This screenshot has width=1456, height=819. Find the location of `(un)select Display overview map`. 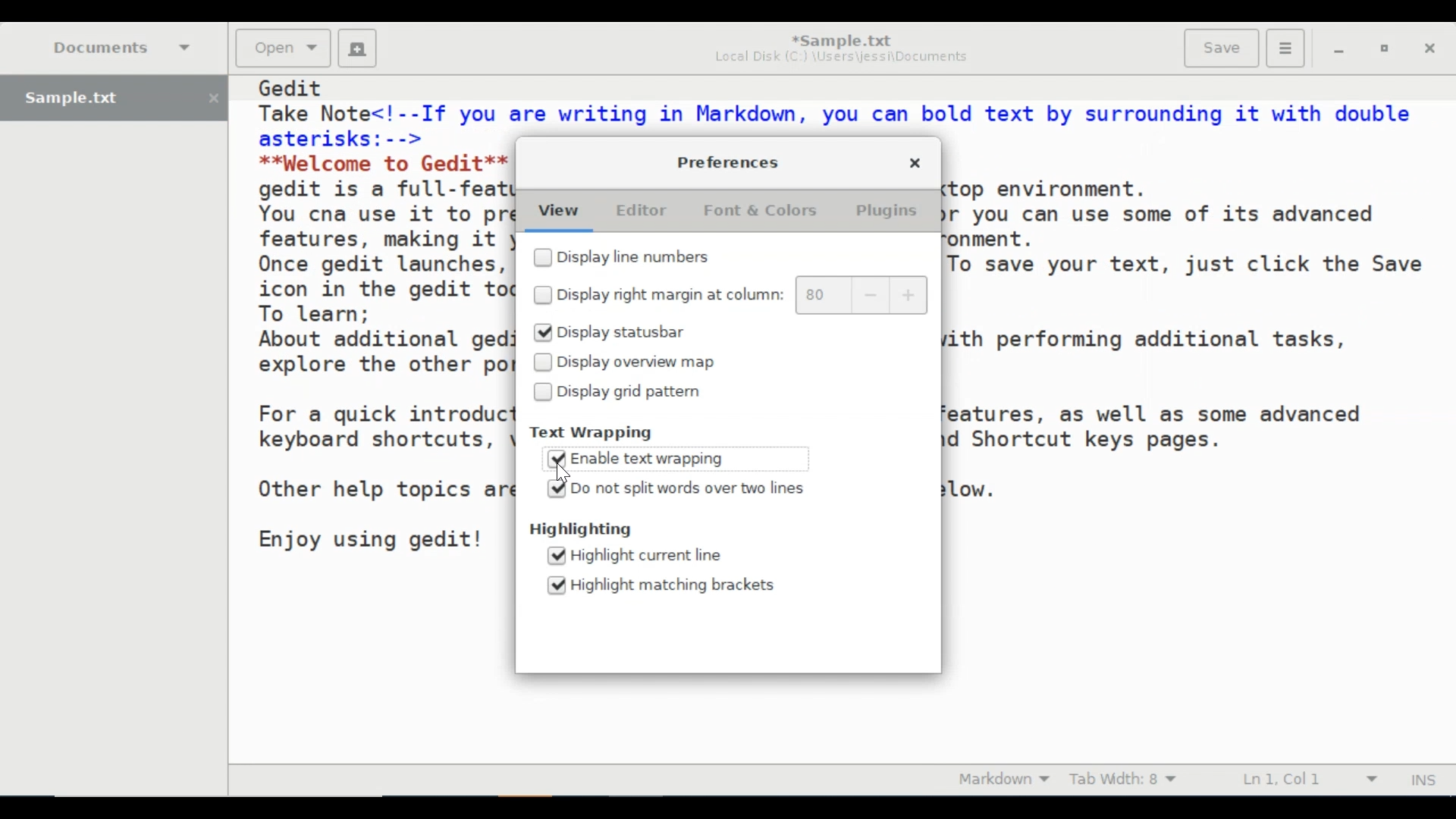

(un)select Display overview map is located at coordinates (626, 363).